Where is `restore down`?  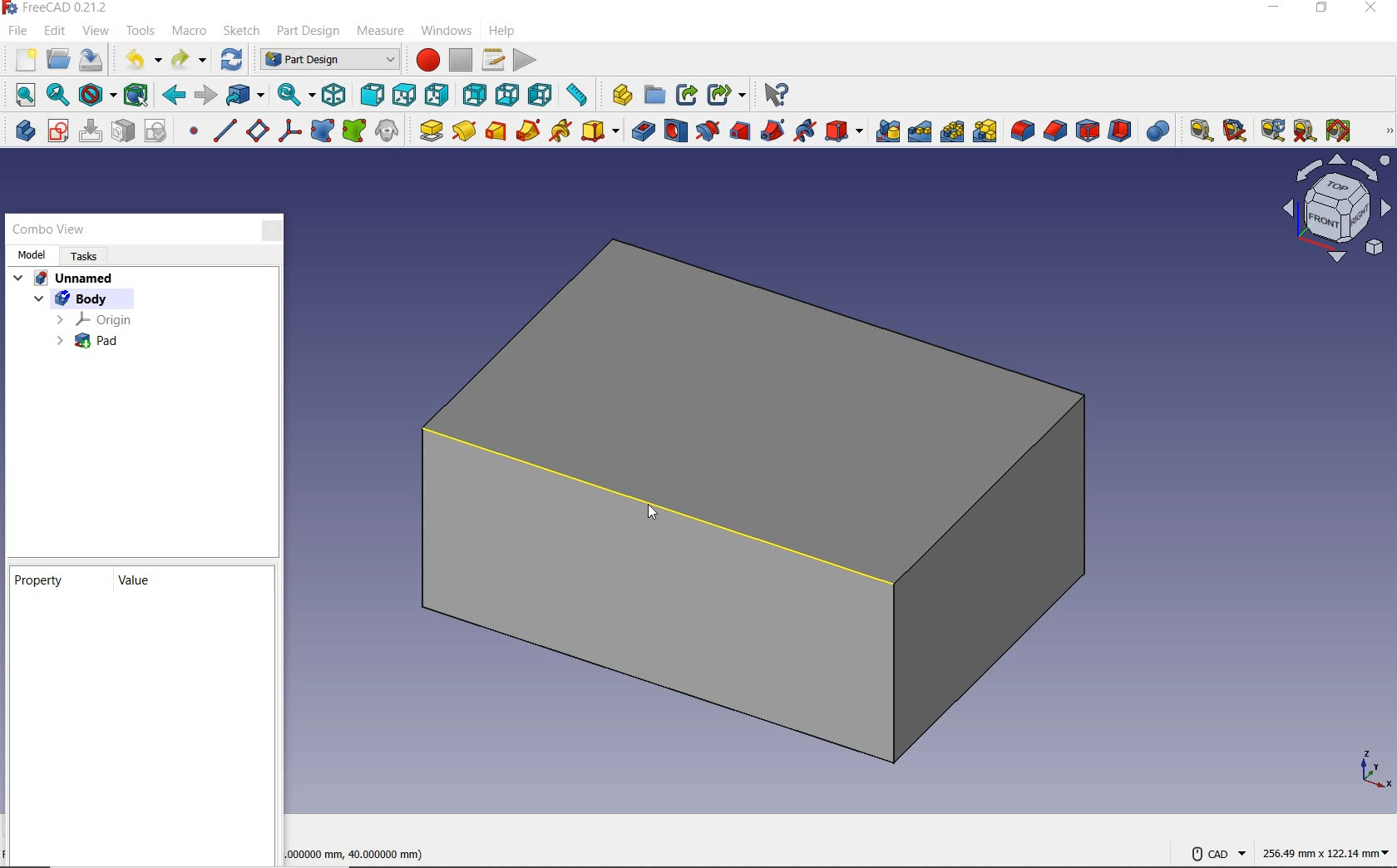 restore down is located at coordinates (1321, 9).